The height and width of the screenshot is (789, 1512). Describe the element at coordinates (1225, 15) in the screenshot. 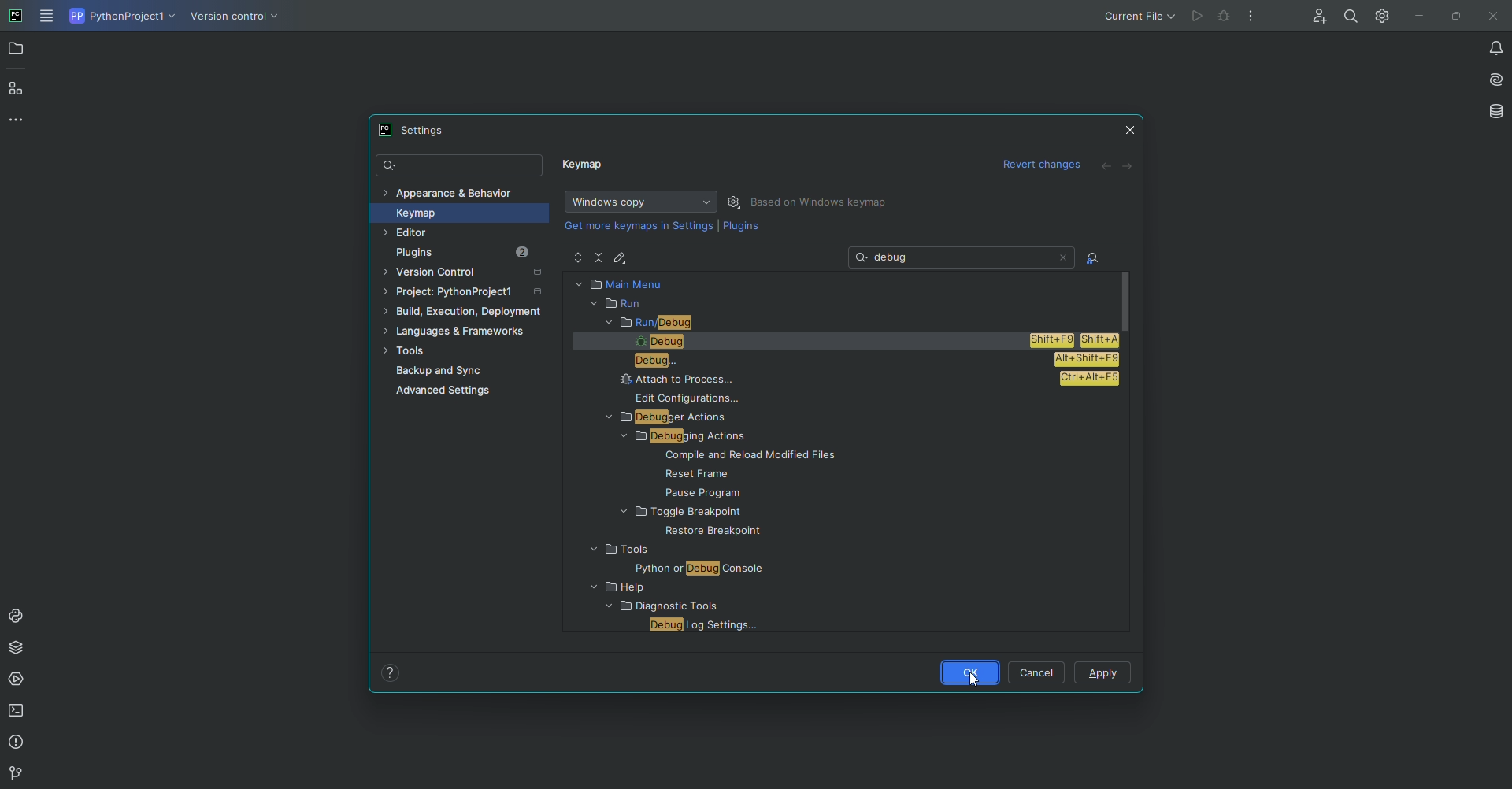

I see `debug` at that location.